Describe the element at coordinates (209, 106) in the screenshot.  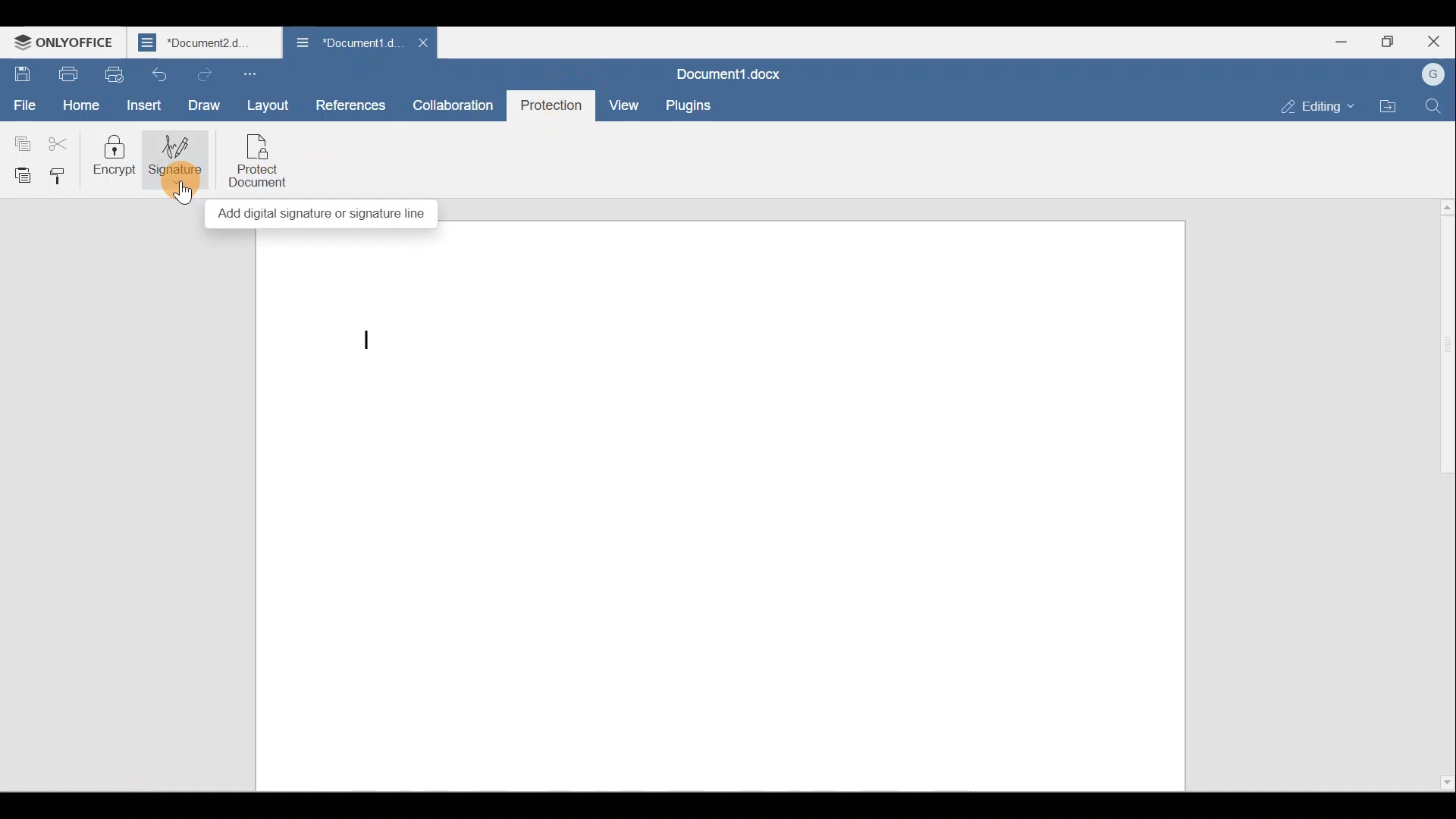
I see `Draw` at that location.